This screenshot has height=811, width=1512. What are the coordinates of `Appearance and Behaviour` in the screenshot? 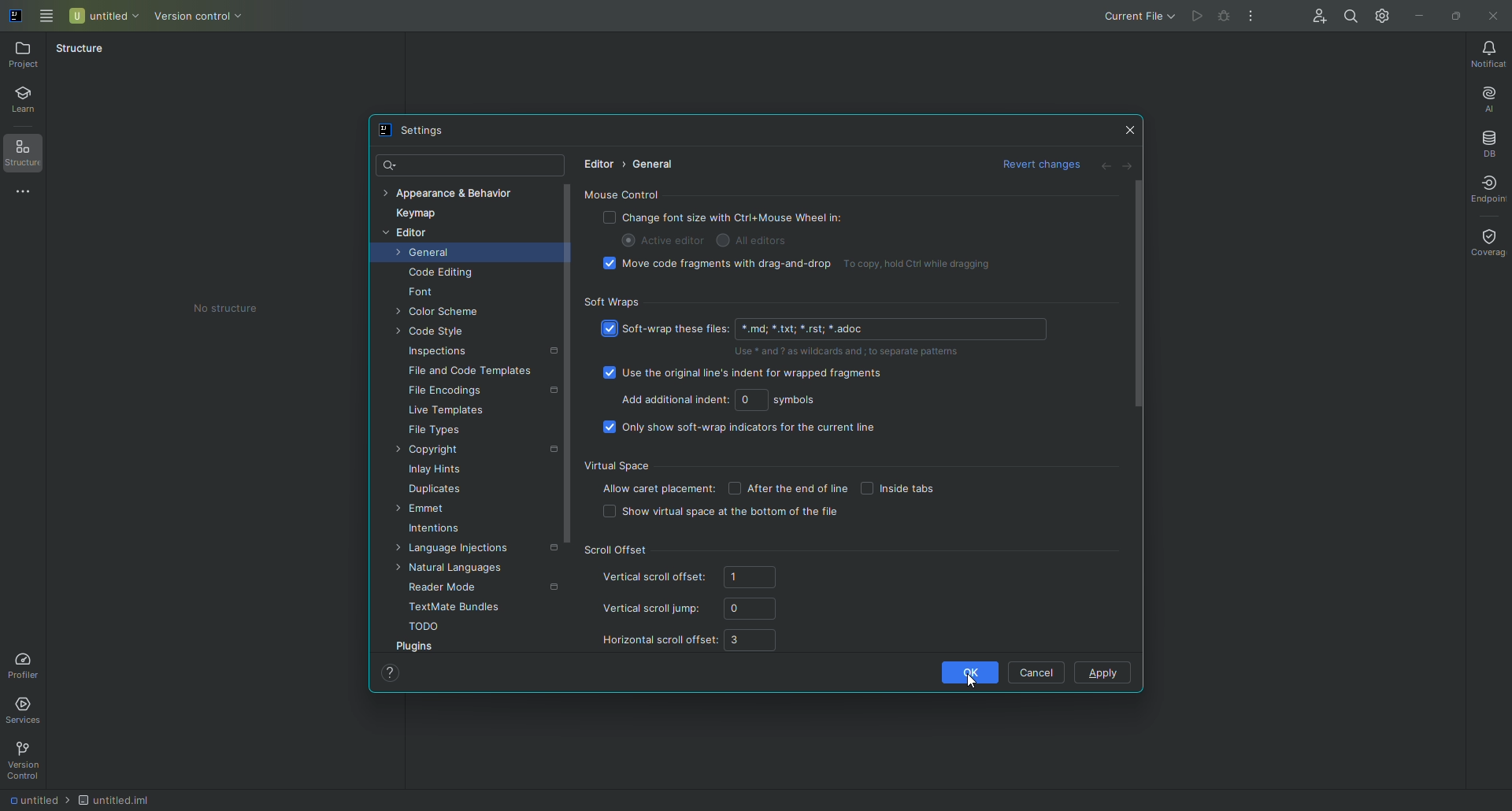 It's located at (455, 194).